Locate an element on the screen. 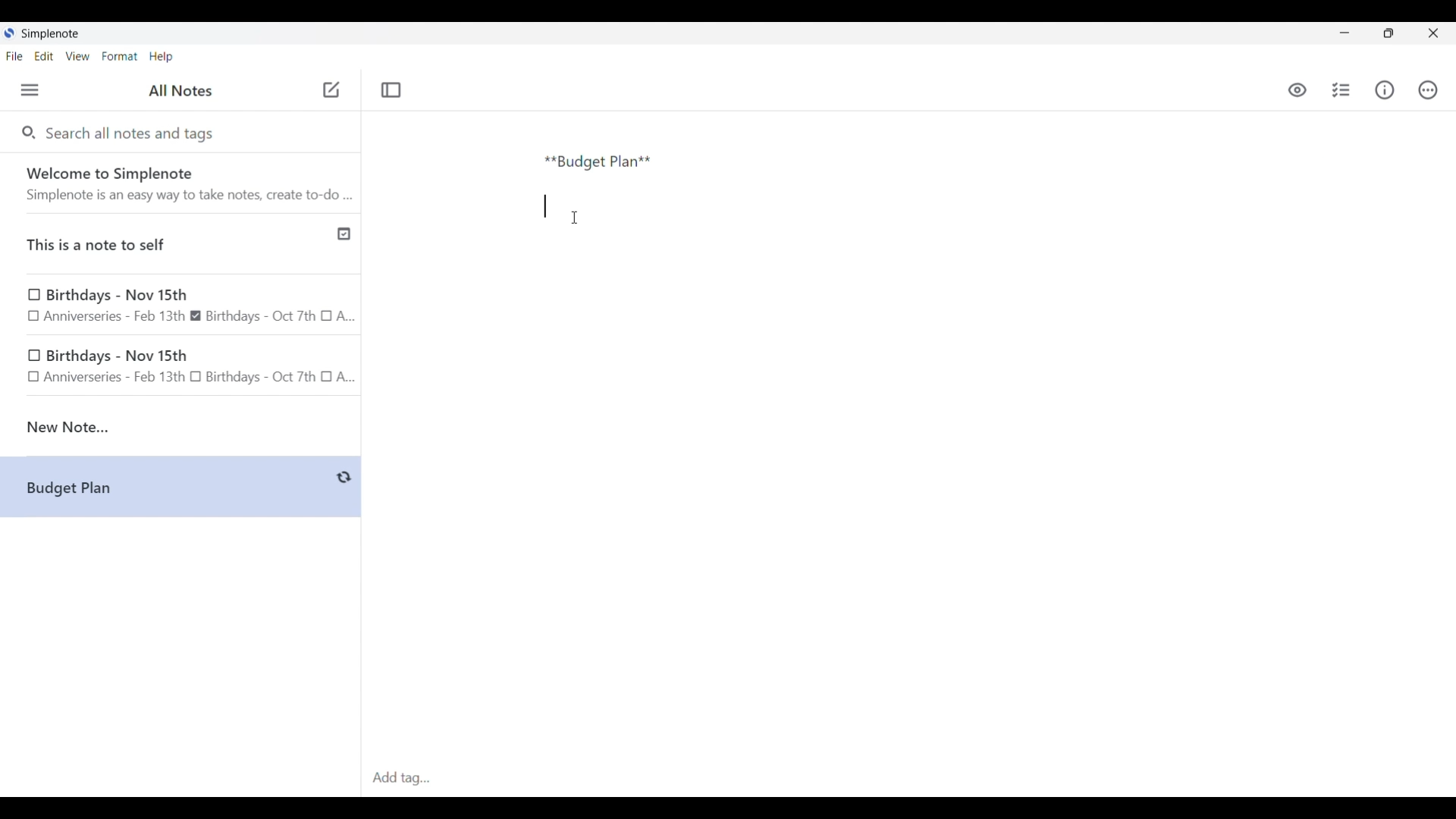 This screenshot has width=1456, height=819. Click to type in tags is located at coordinates (908, 779).